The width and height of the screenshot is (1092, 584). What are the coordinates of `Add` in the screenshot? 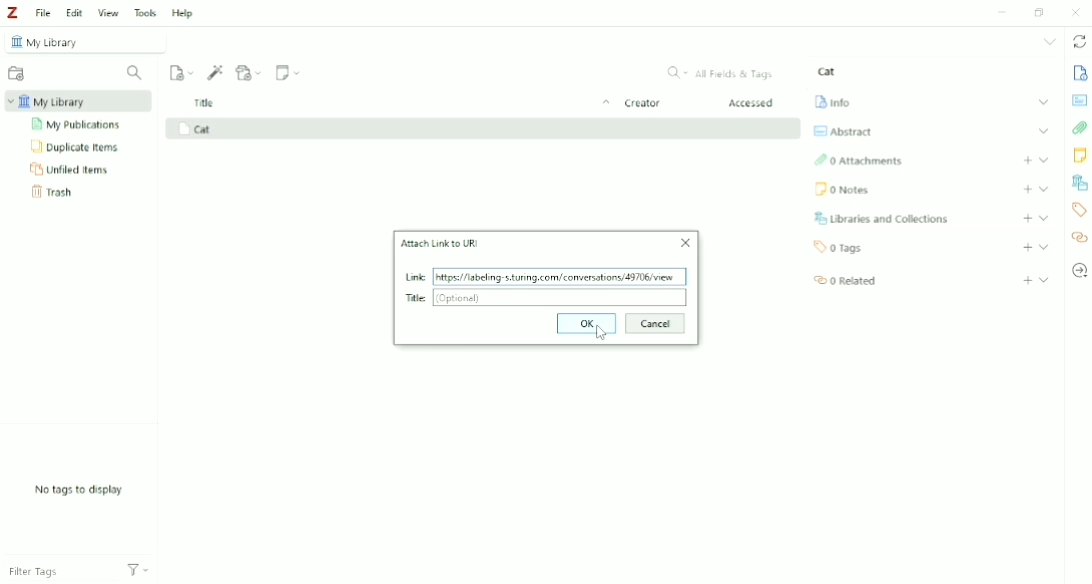 It's located at (1028, 248).